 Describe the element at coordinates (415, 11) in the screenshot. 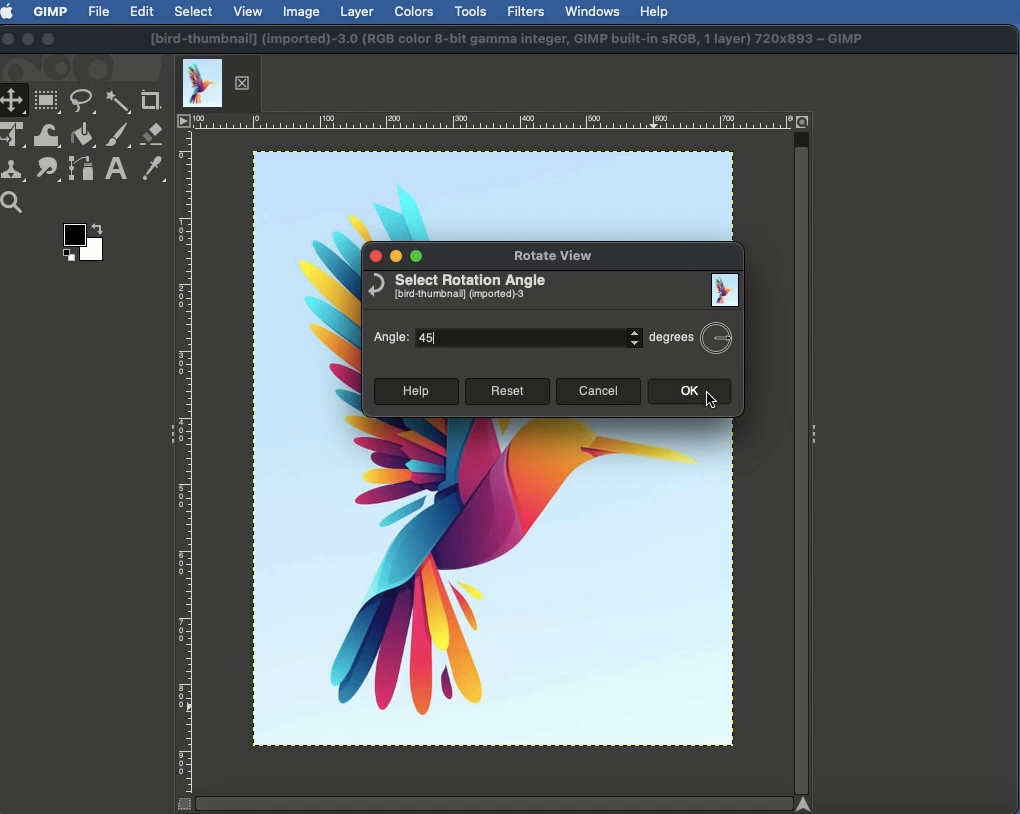

I see `Colors` at that location.